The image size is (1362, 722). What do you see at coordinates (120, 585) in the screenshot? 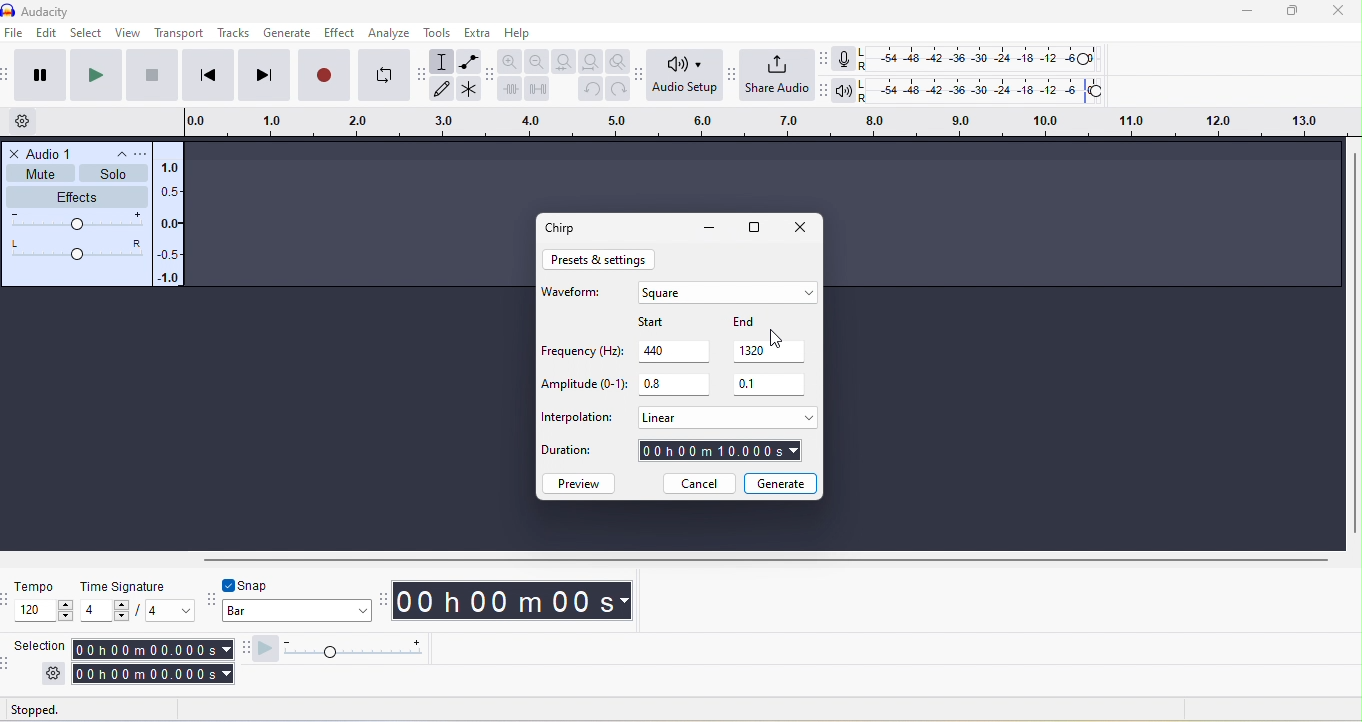
I see `time signature` at bounding box center [120, 585].